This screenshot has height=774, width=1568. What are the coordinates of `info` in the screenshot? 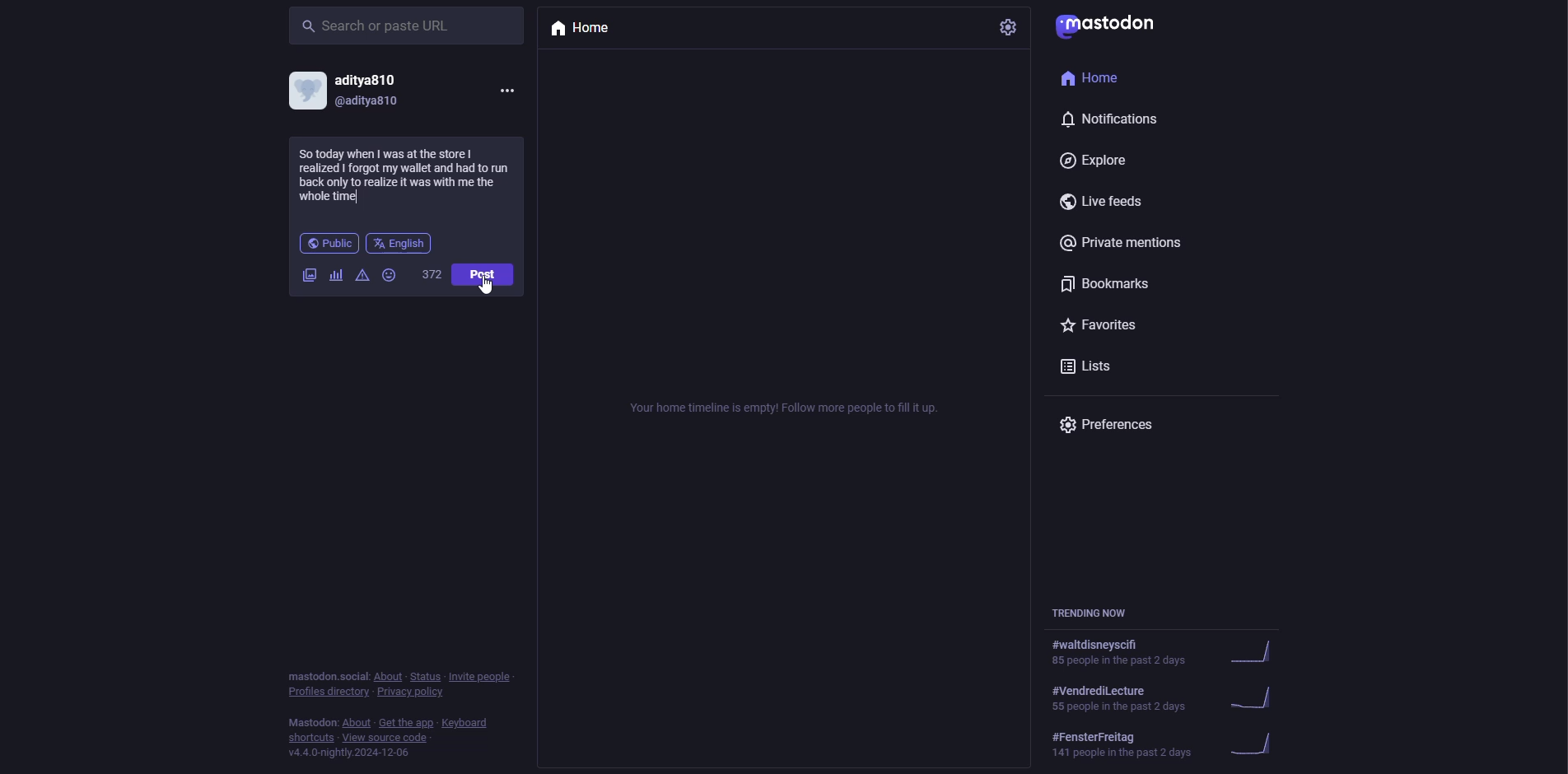 It's located at (390, 716).